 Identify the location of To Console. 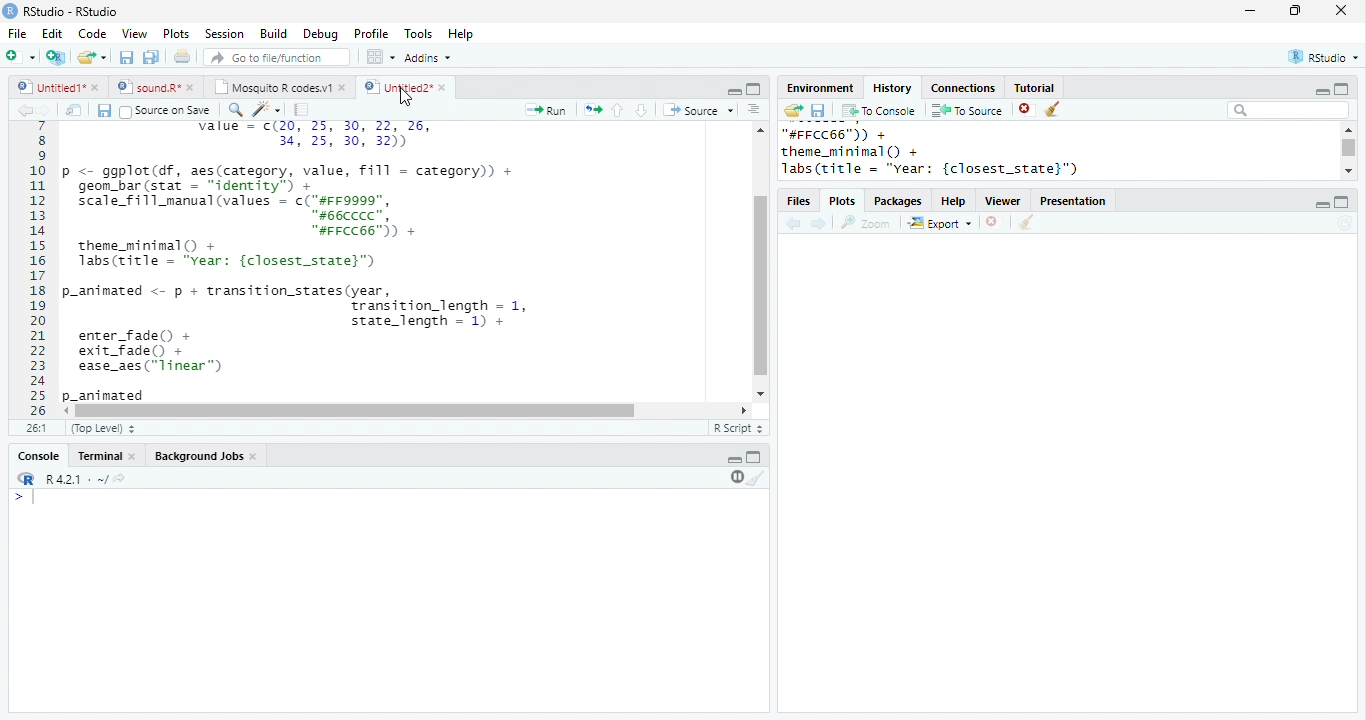
(880, 111).